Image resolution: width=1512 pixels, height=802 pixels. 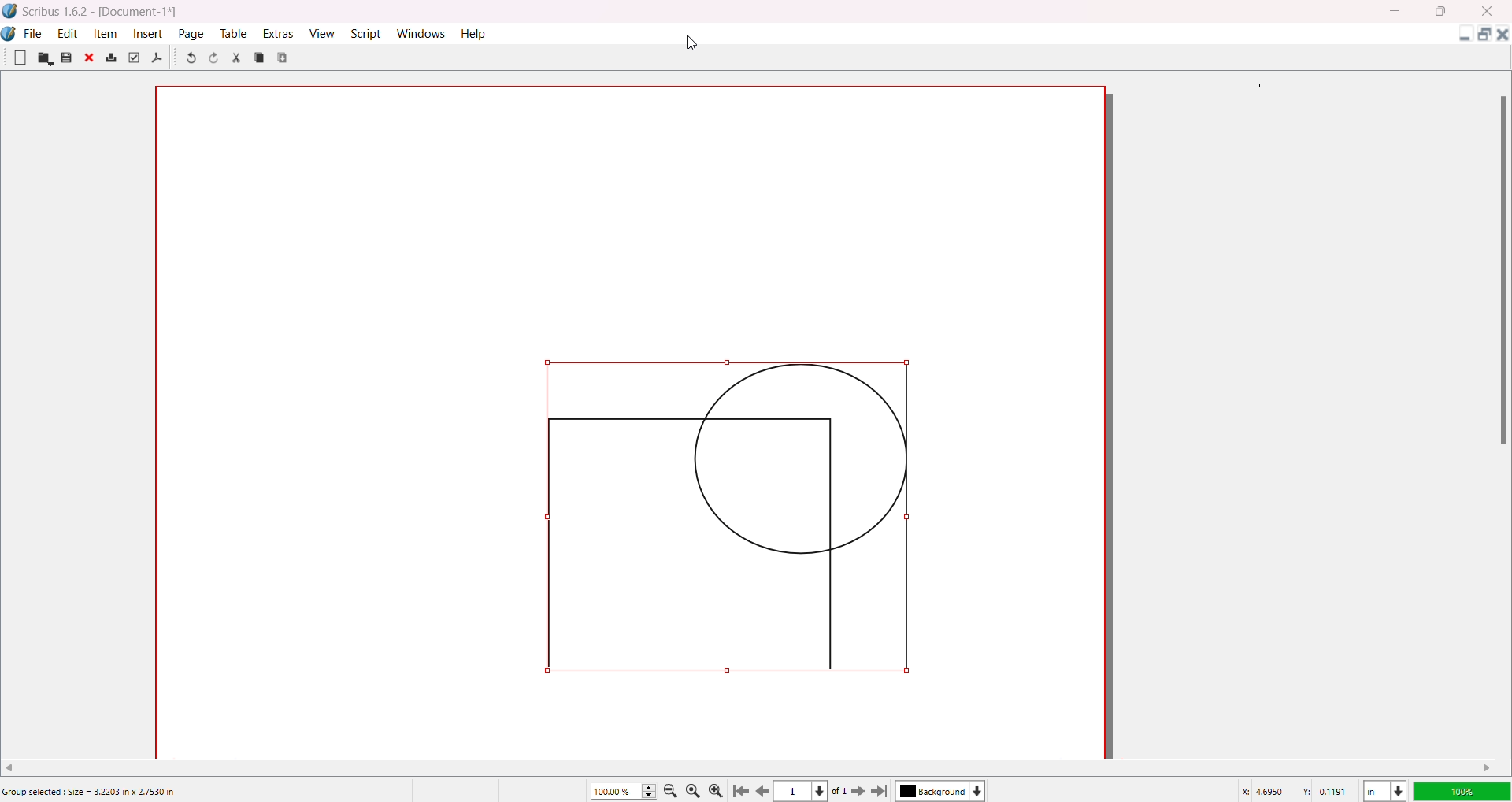 I want to click on Logo, so click(x=10, y=11).